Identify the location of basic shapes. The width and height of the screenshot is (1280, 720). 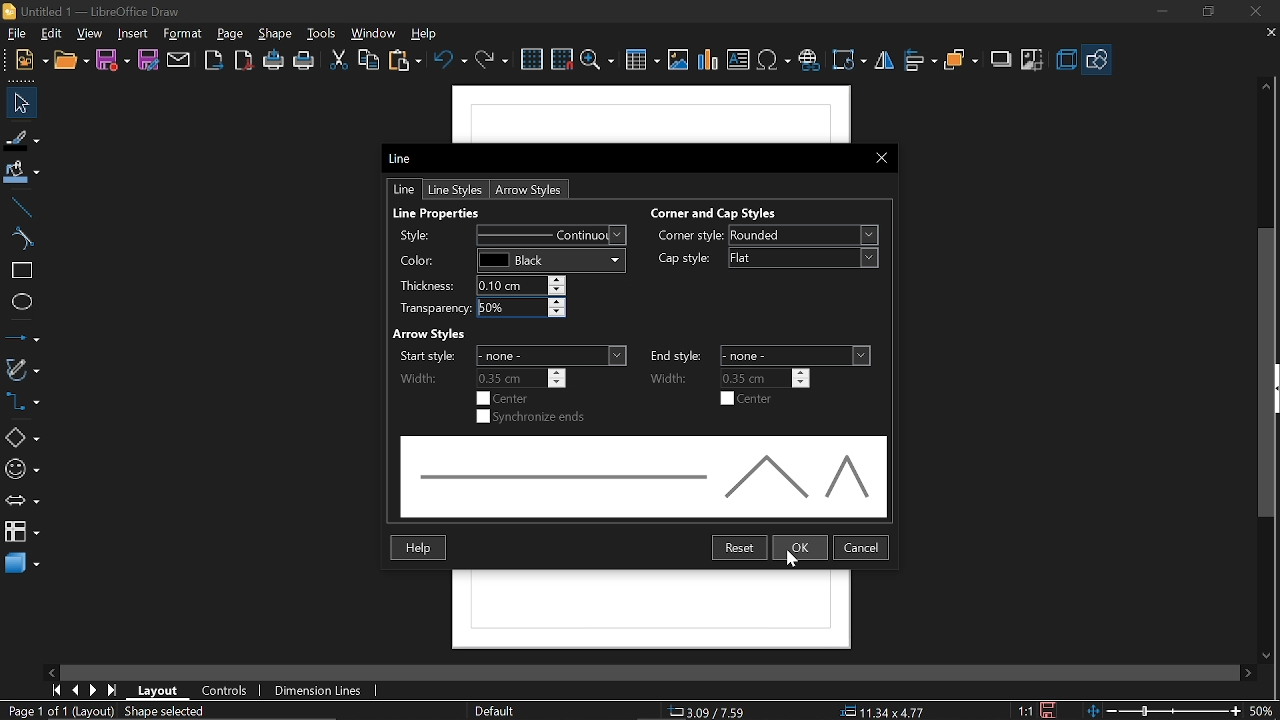
(20, 440).